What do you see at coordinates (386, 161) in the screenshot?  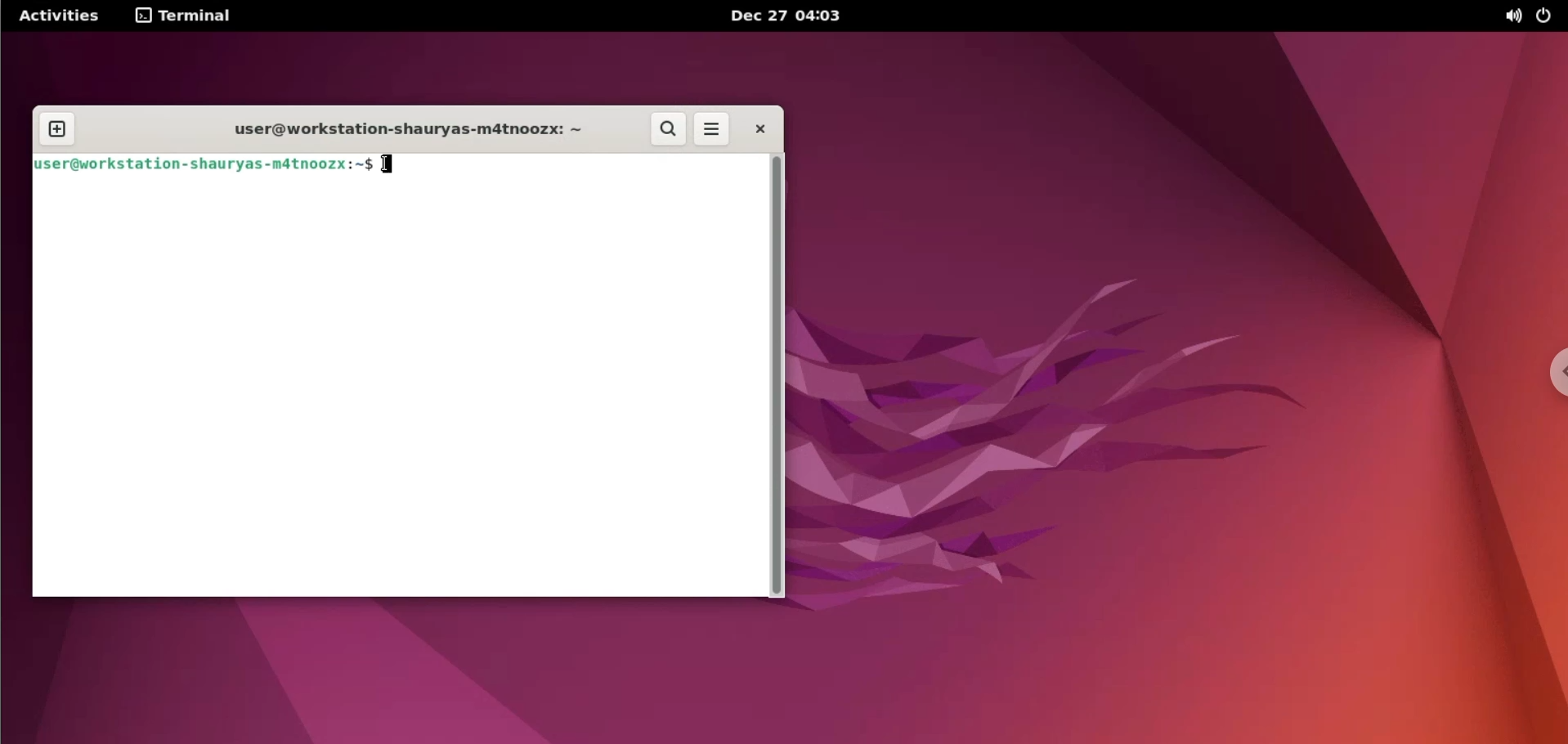 I see `text cursor` at bounding box center [386, 161].